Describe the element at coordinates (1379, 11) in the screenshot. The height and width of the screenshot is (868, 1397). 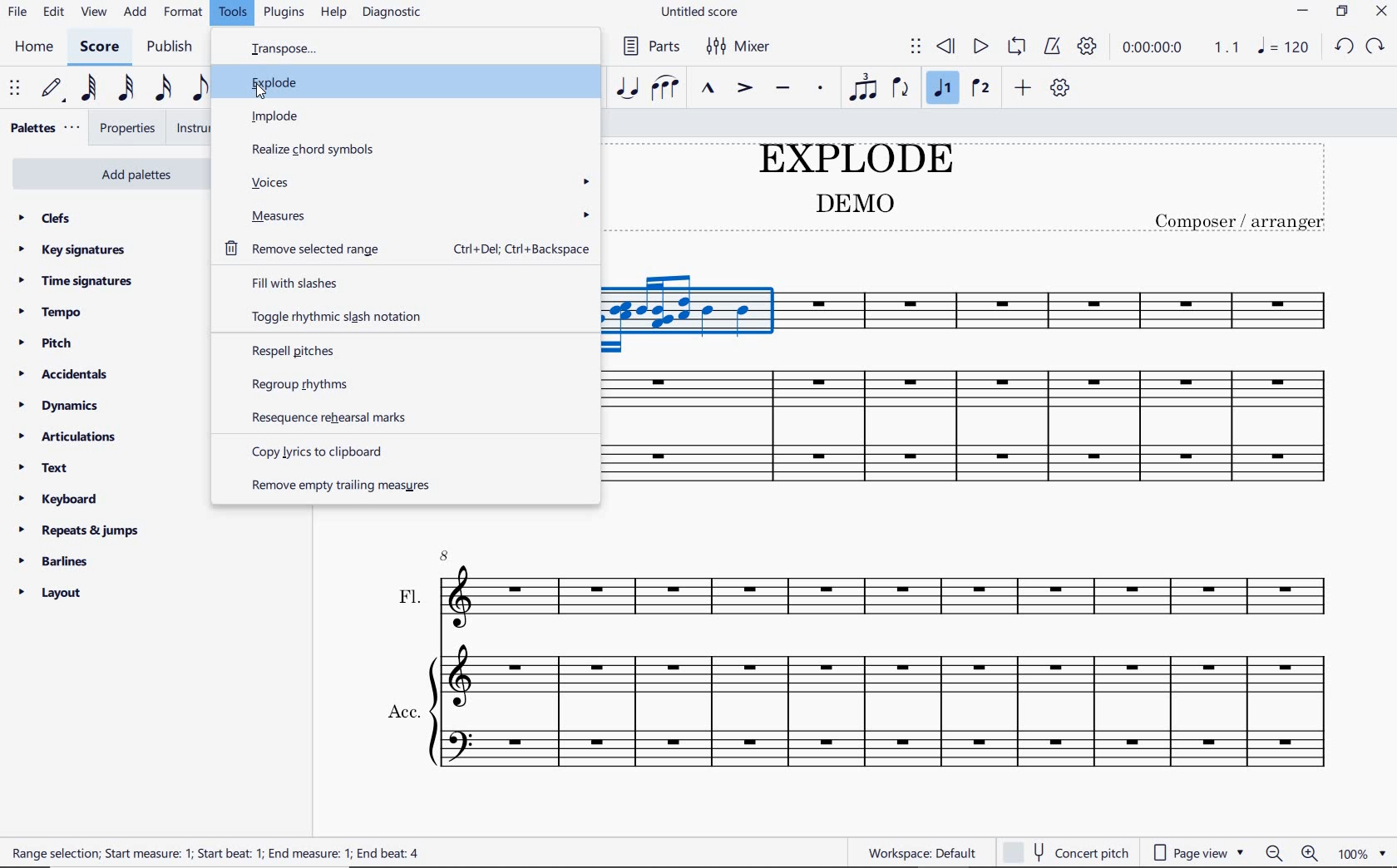
I see `close` at that location.